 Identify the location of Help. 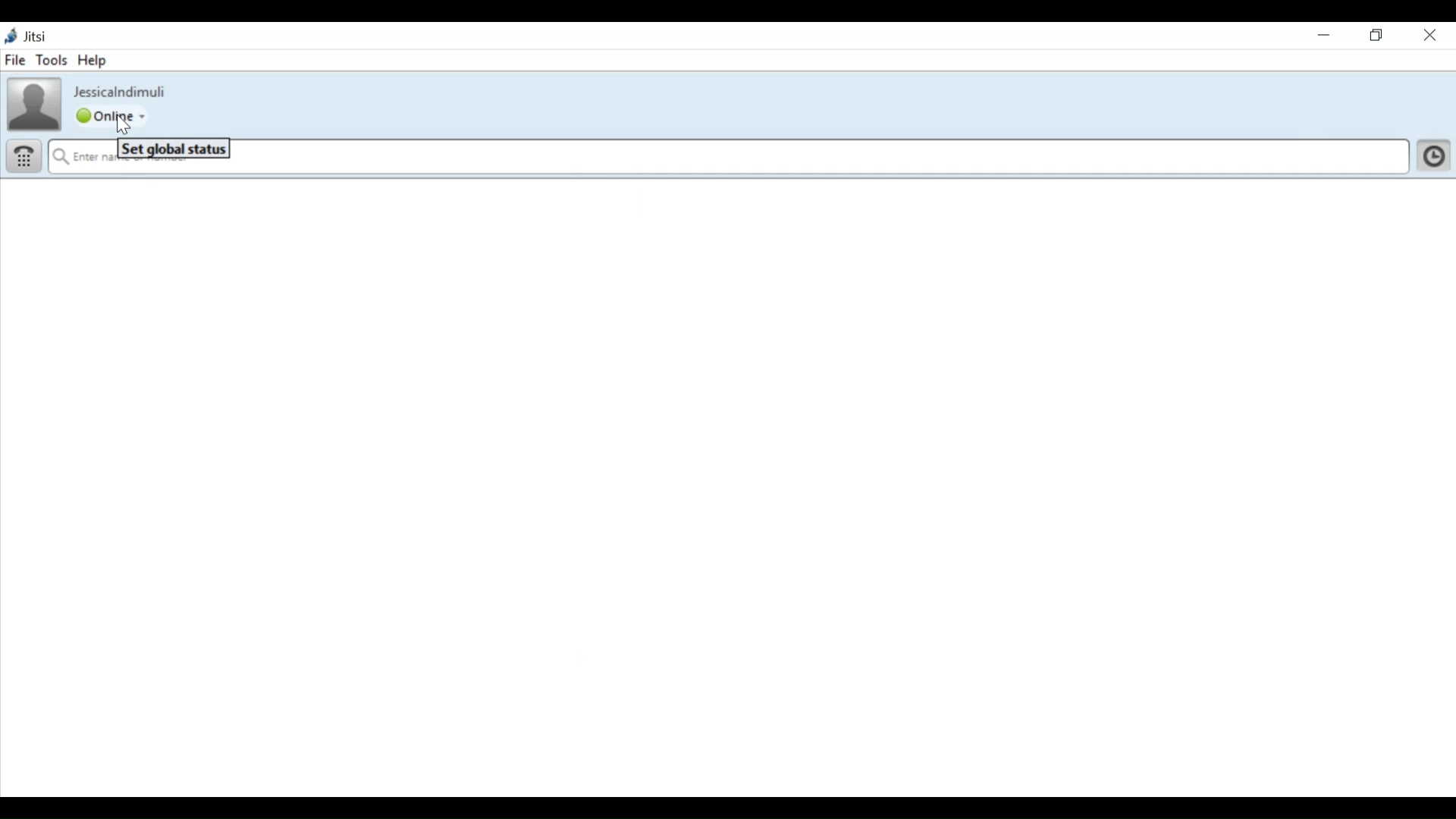
(89, 60).